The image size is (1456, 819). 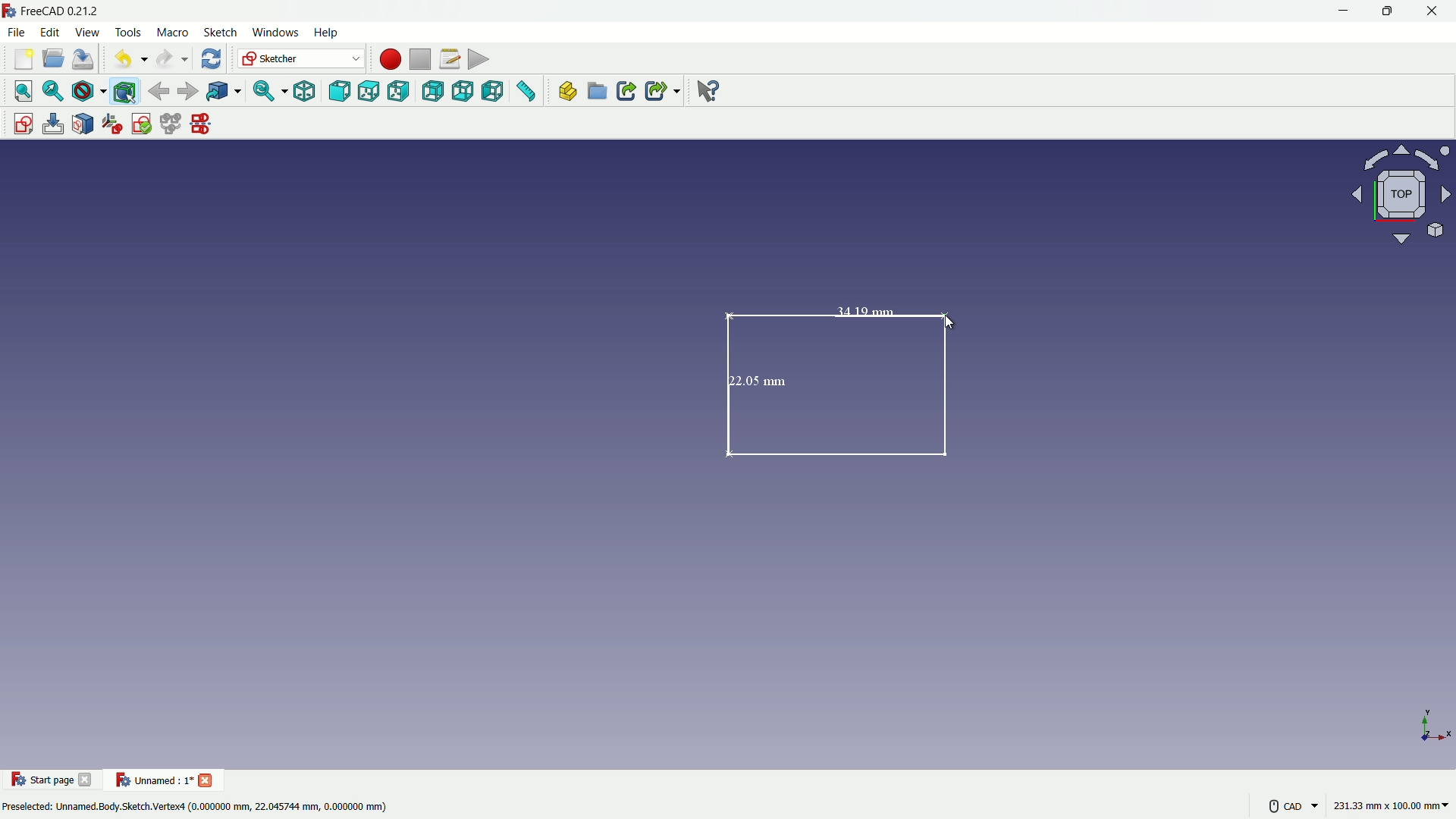 I want to click on rotate or change view, so click(x=1398, y=196).